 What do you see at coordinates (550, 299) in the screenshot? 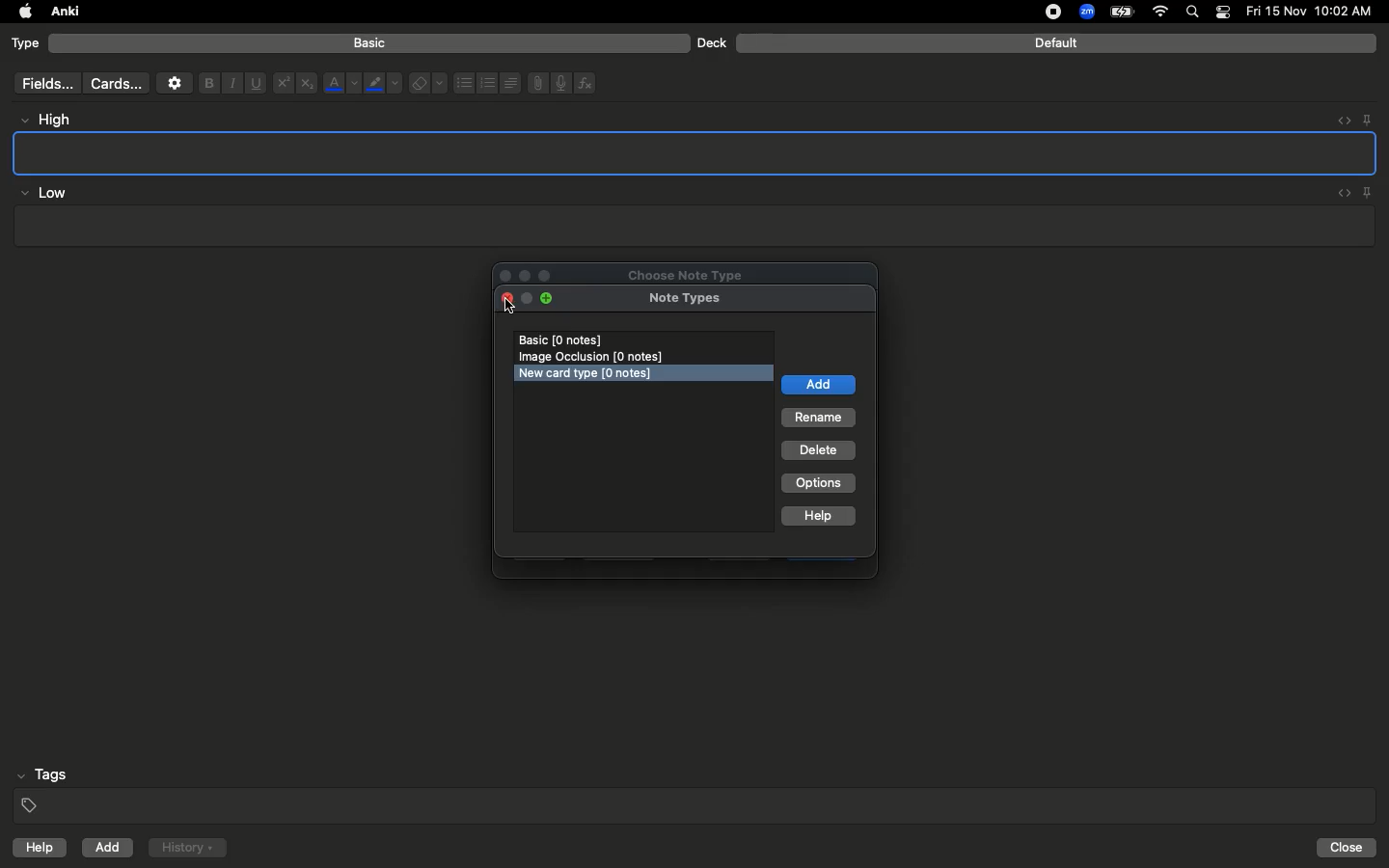
I see `maximize` at bounding box center [550, 299].